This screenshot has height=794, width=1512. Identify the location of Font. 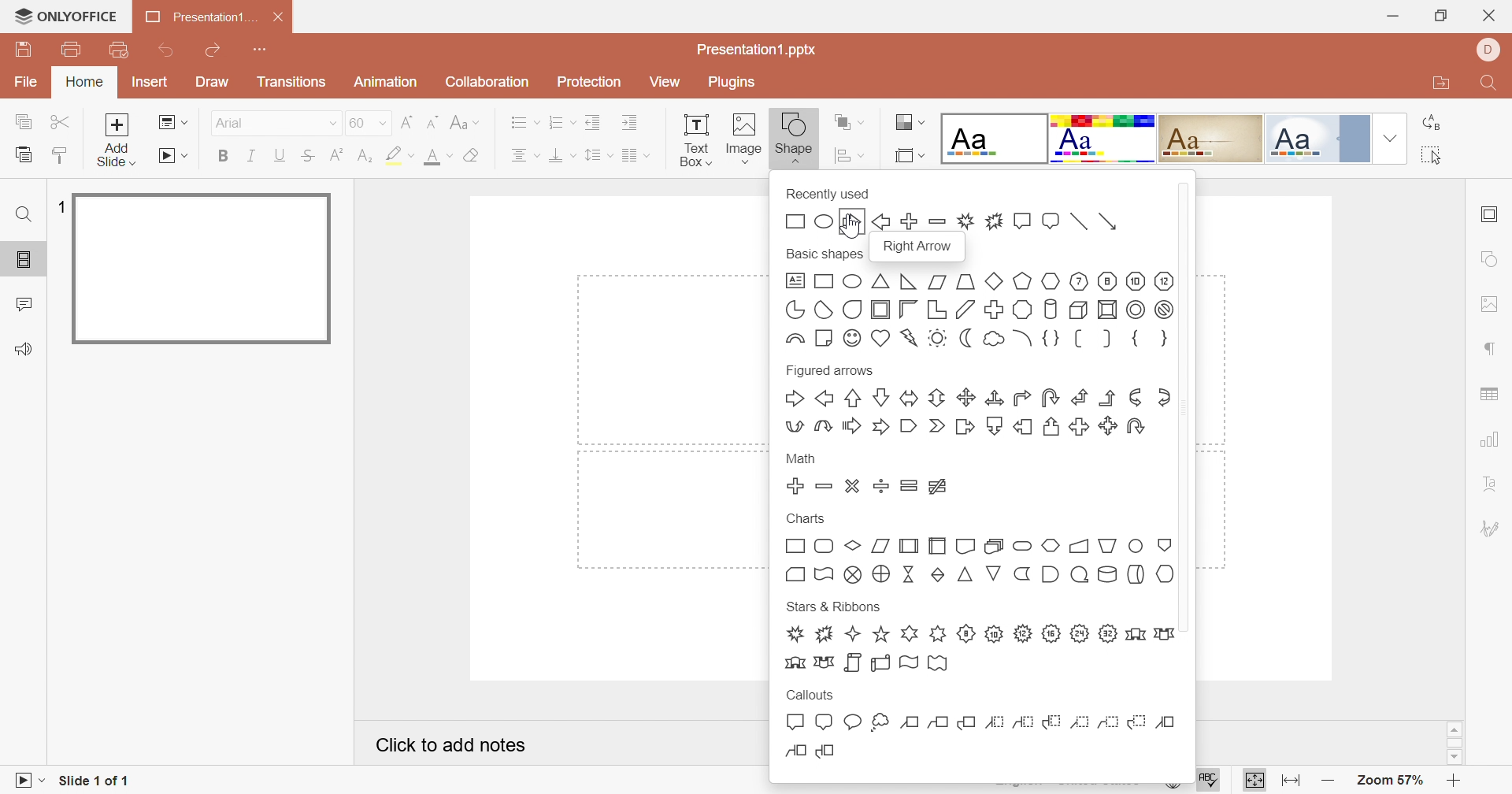
(275, 123).